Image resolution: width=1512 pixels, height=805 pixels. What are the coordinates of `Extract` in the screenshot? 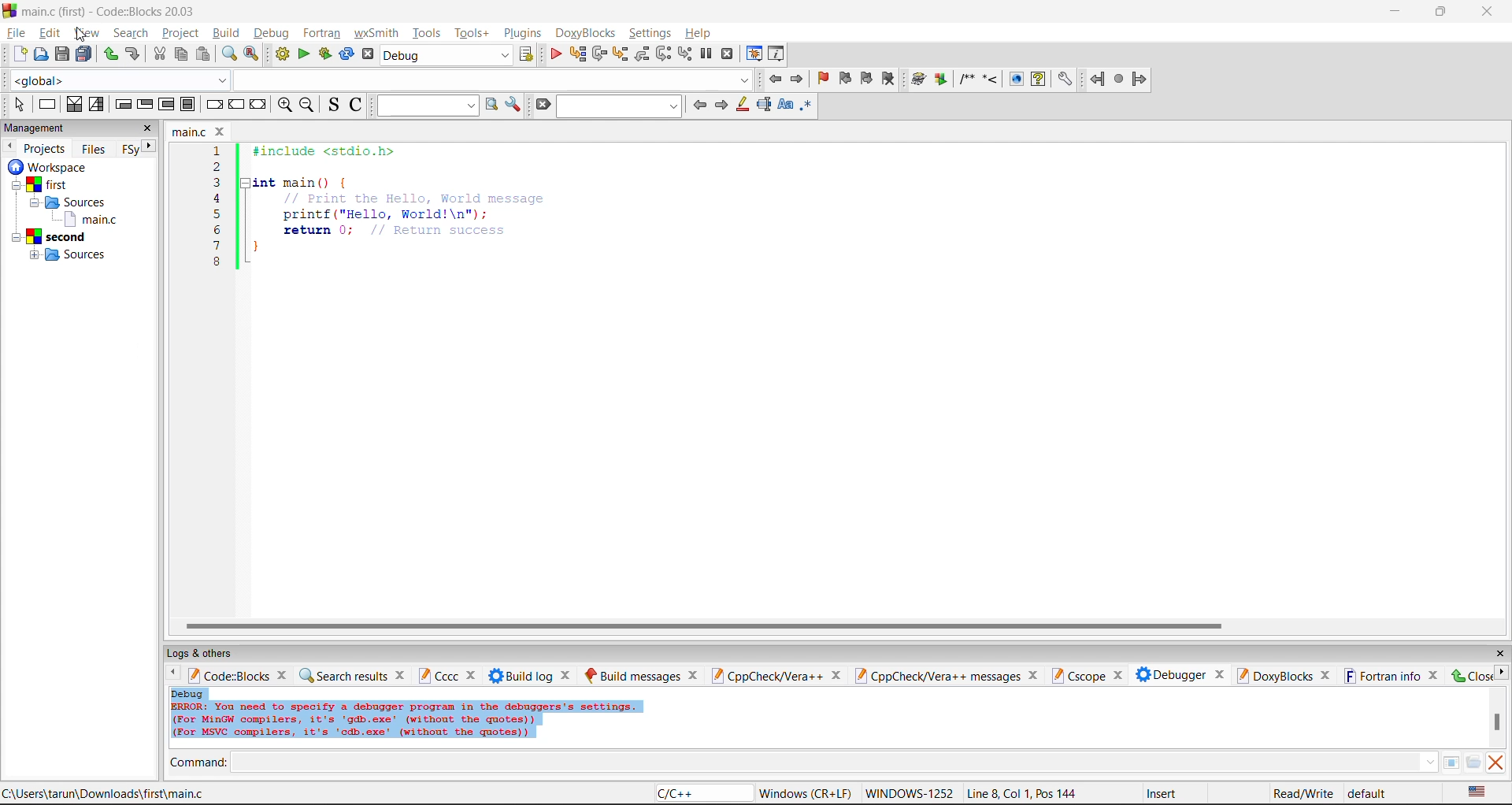 It's located at (943, 80).